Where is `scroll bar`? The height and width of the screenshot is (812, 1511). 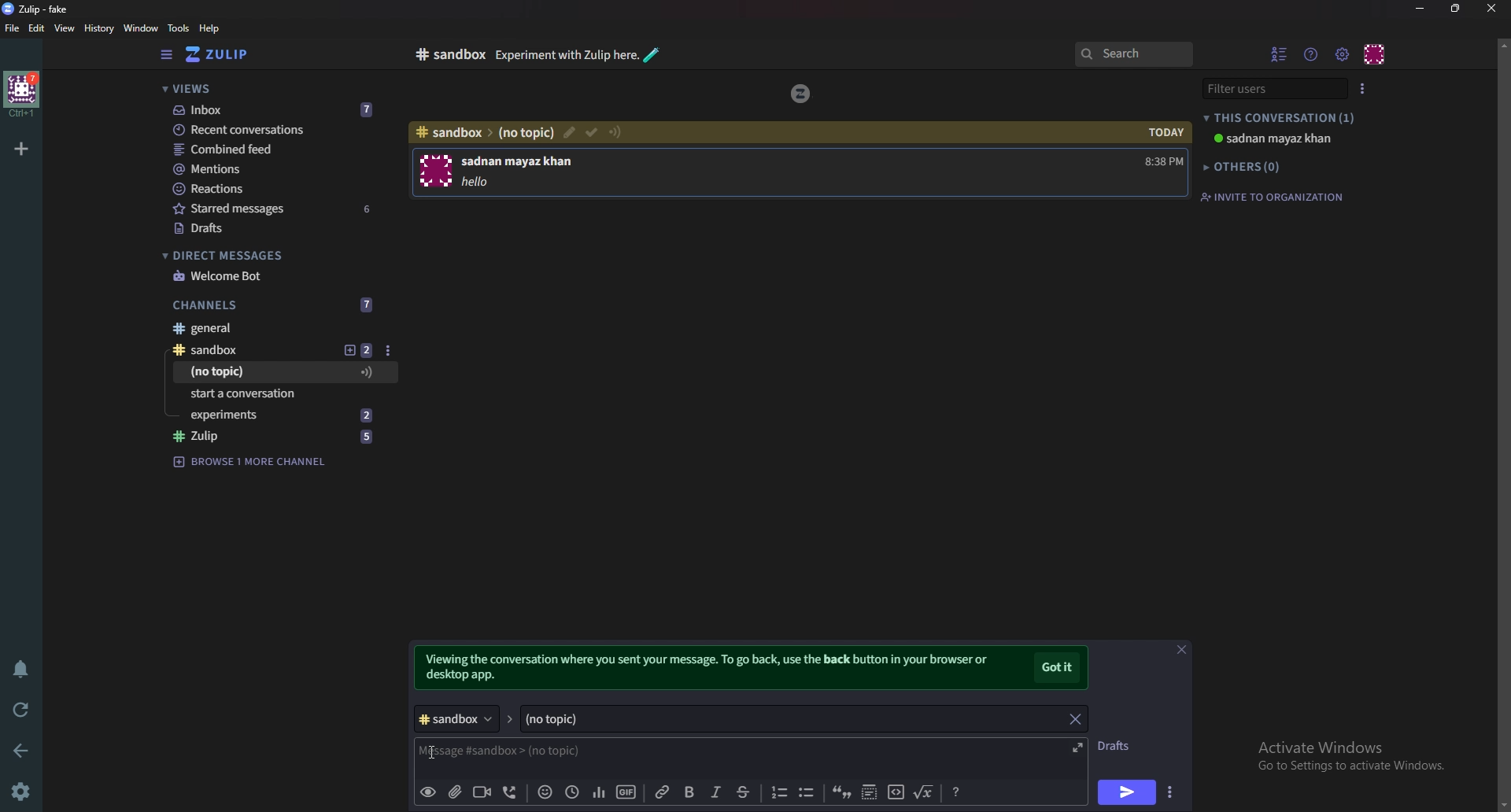 scroll bar is located at coordinates (1502, 423).